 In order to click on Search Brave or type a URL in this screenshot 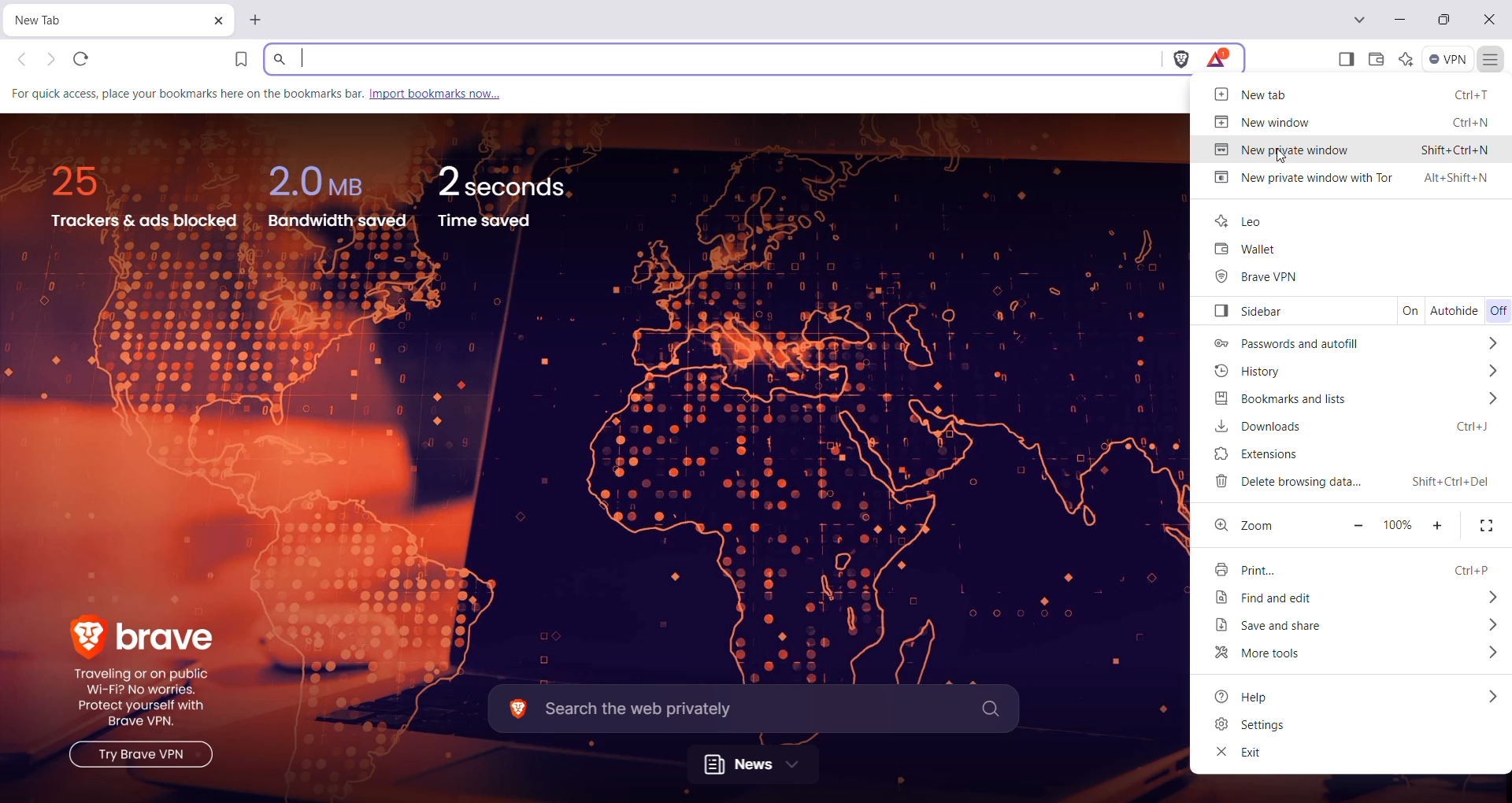, I will do `click(713, 58)`.